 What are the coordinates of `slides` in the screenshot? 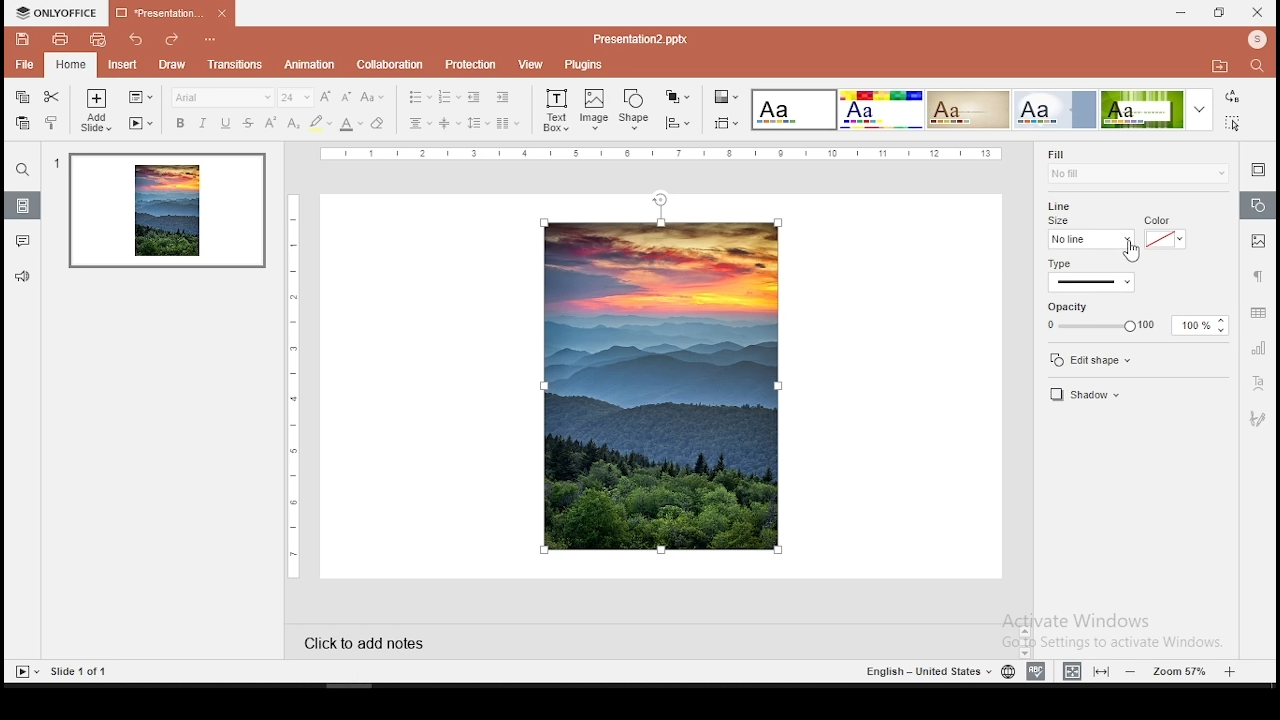 It's located at (23, 205).